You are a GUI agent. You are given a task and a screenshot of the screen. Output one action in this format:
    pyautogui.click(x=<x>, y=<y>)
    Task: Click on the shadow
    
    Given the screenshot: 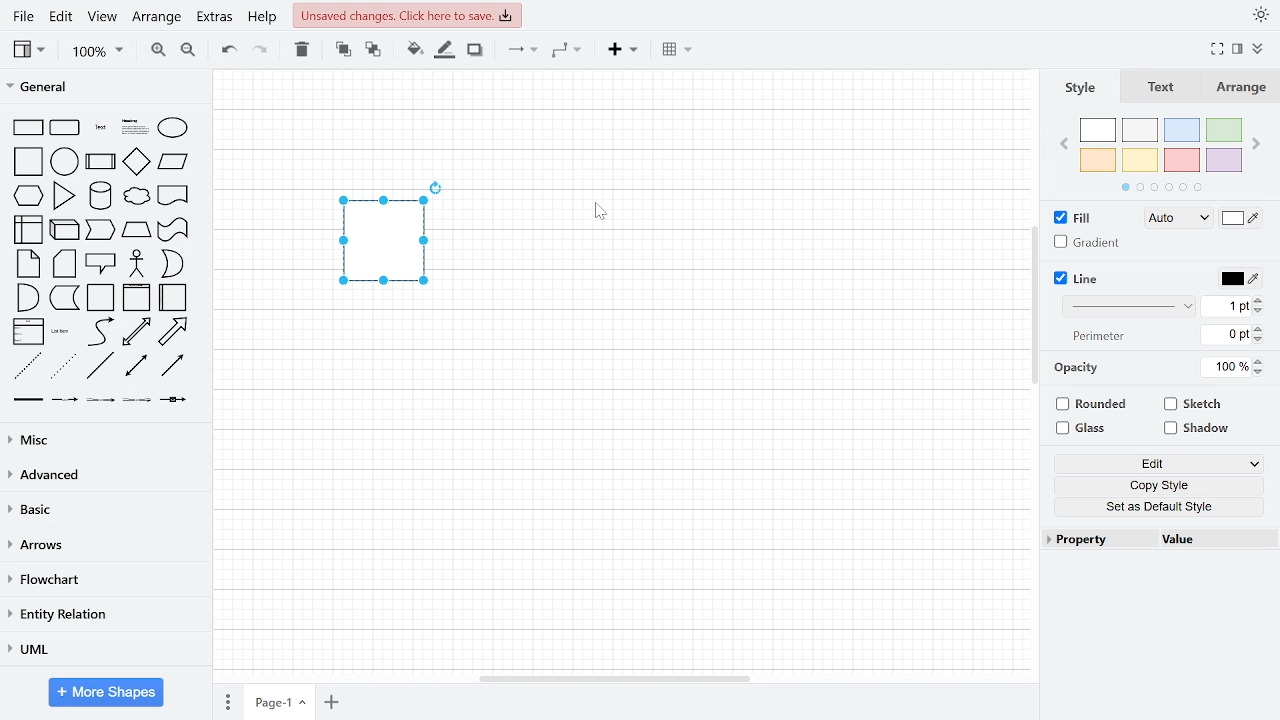 What is the action you would take?
    pyautogui.click(x=1200, y=429)
    